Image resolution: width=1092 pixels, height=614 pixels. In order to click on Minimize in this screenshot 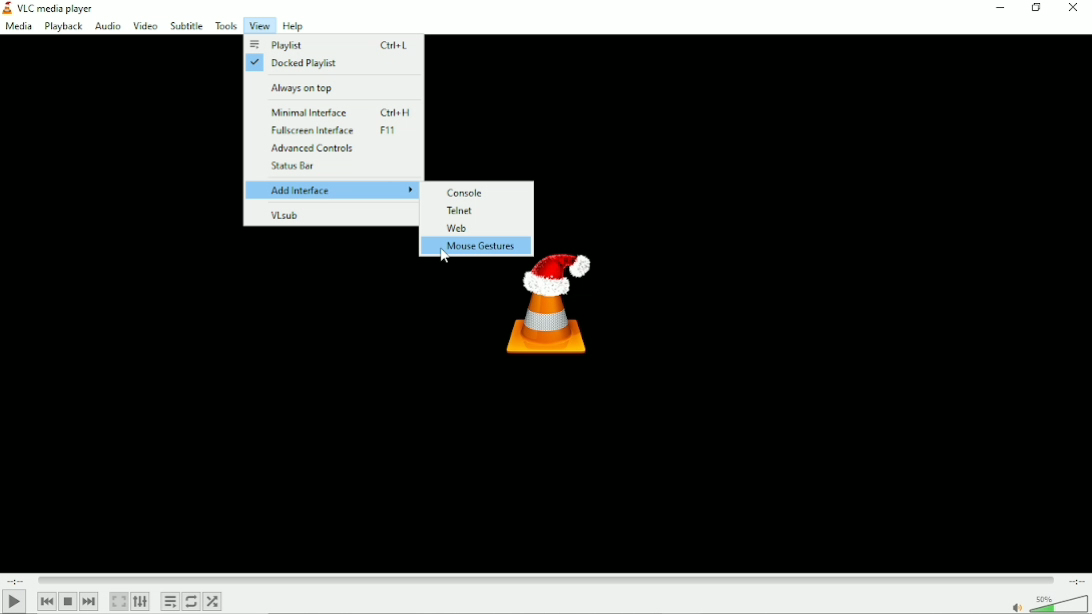, I will do `click(1003, 9)`.